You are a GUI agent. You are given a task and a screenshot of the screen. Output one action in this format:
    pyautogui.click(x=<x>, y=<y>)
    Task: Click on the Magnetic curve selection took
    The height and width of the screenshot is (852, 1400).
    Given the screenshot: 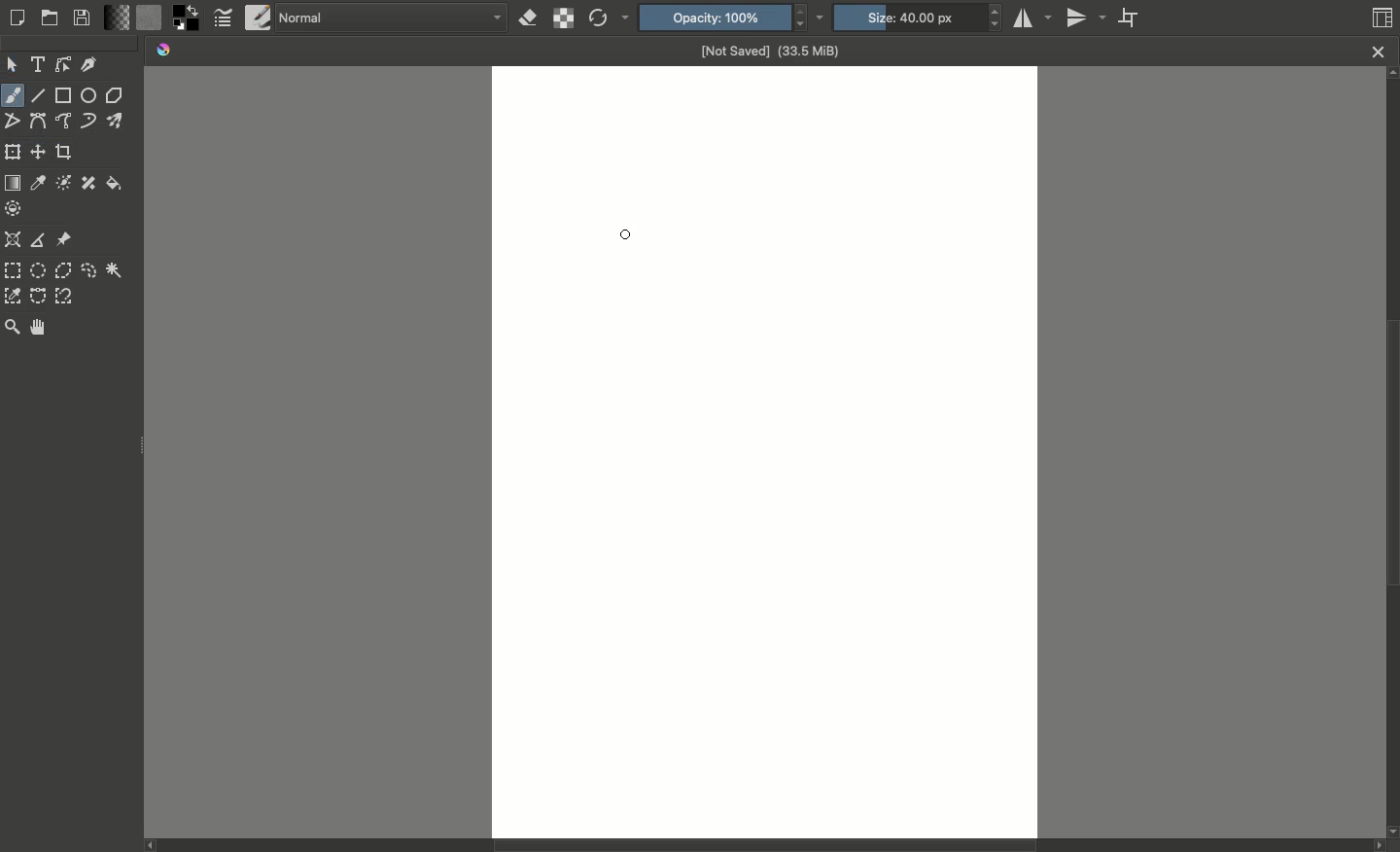 What is the action you would take?
    pyautogui.click(x=64, y=296)
    